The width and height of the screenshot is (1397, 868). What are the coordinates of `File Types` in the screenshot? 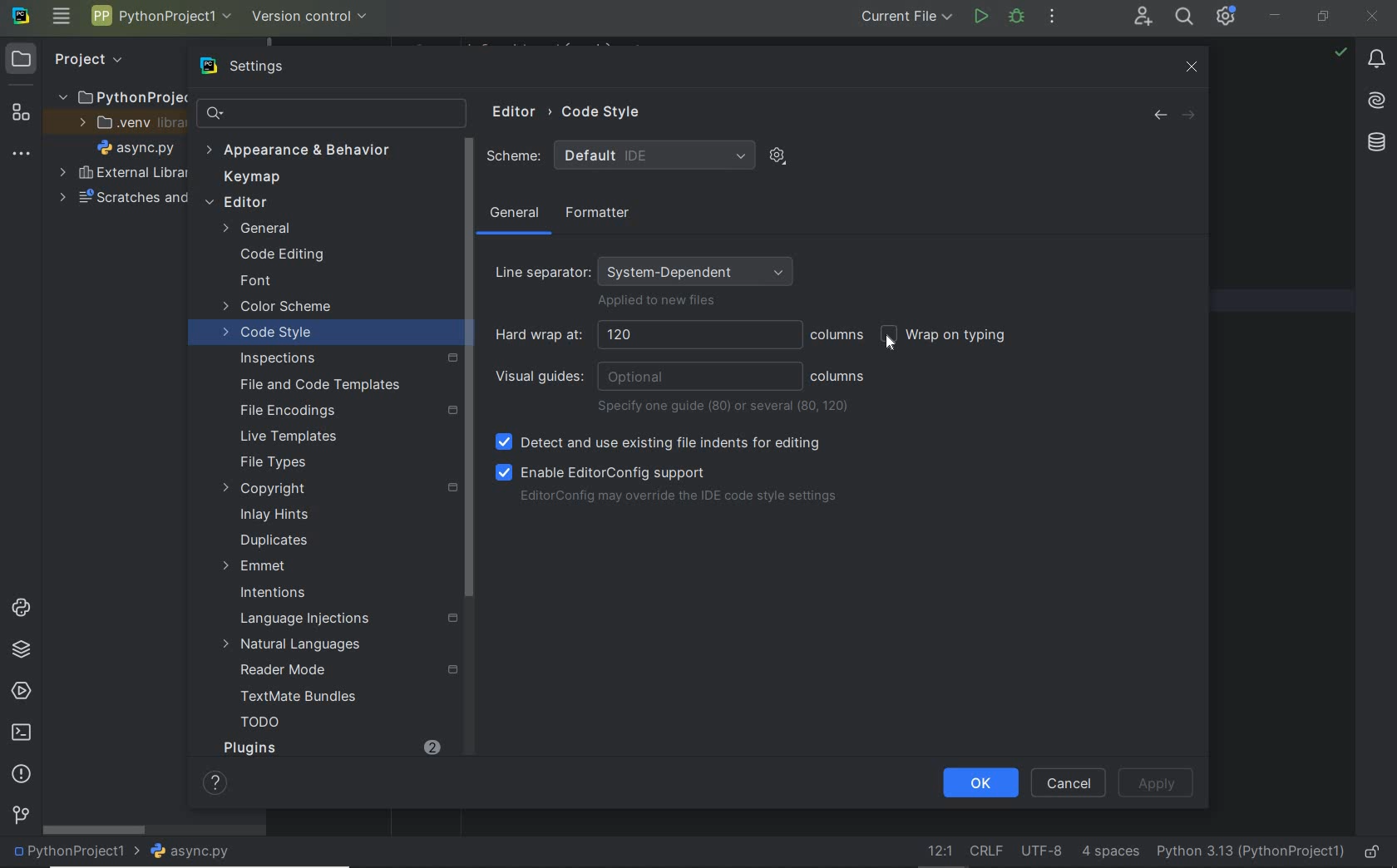 It's located at (273, 463).